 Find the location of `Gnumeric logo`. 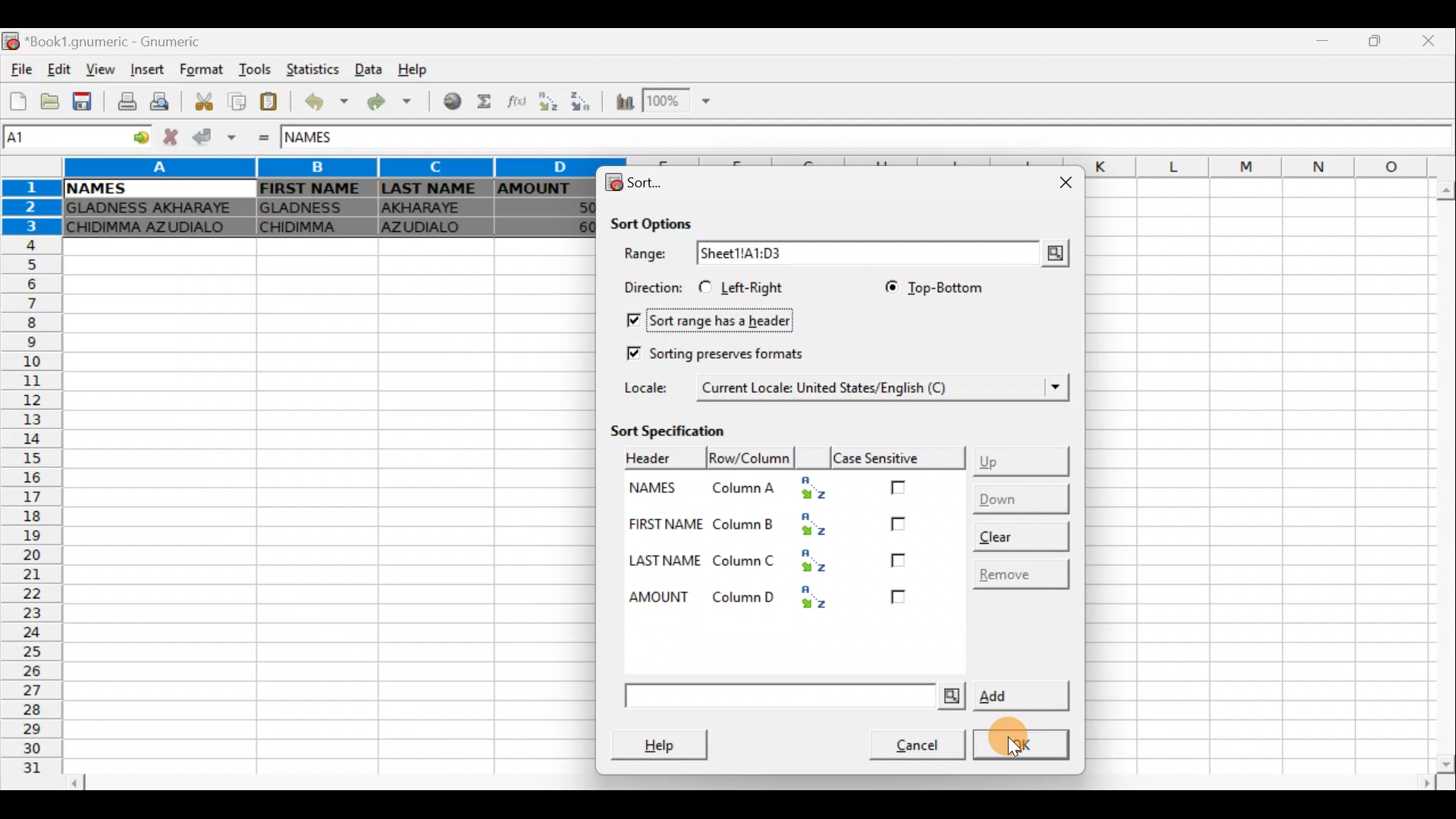

Gnumeric logo is located at coordinates (12, 42).